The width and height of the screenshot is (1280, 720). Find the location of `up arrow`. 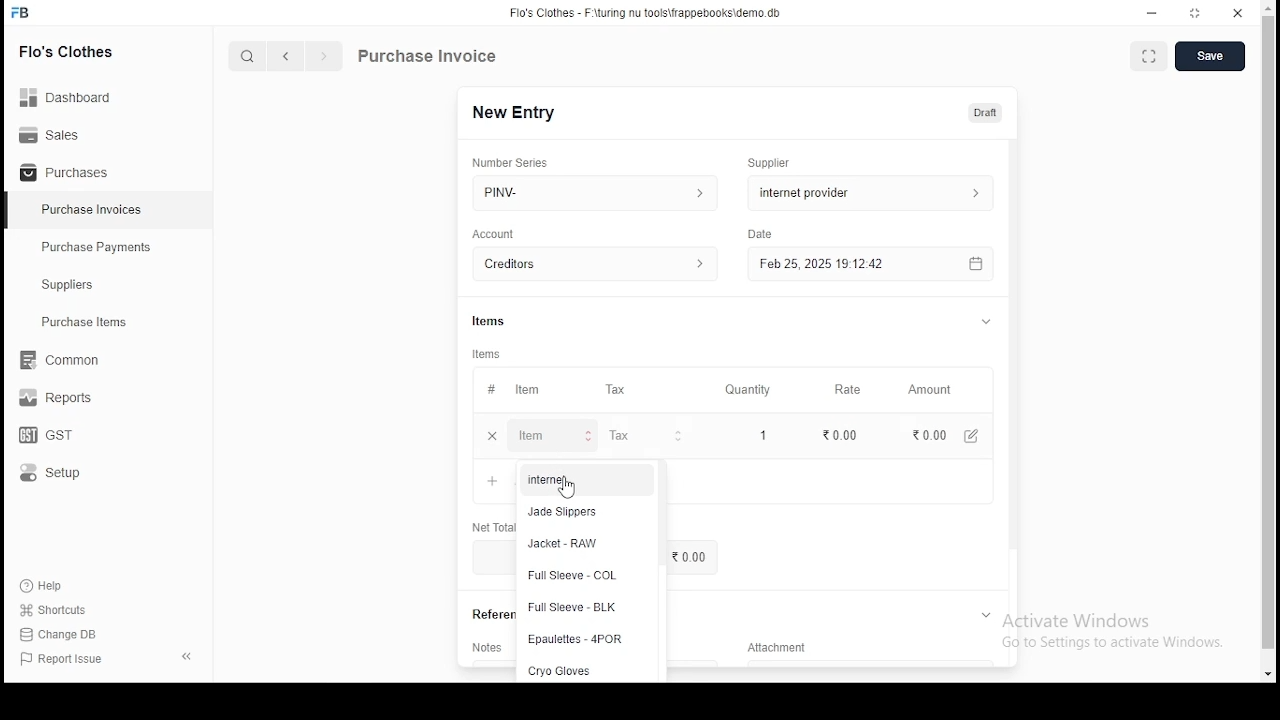

up arrow is located at coordinates (1270, 7).